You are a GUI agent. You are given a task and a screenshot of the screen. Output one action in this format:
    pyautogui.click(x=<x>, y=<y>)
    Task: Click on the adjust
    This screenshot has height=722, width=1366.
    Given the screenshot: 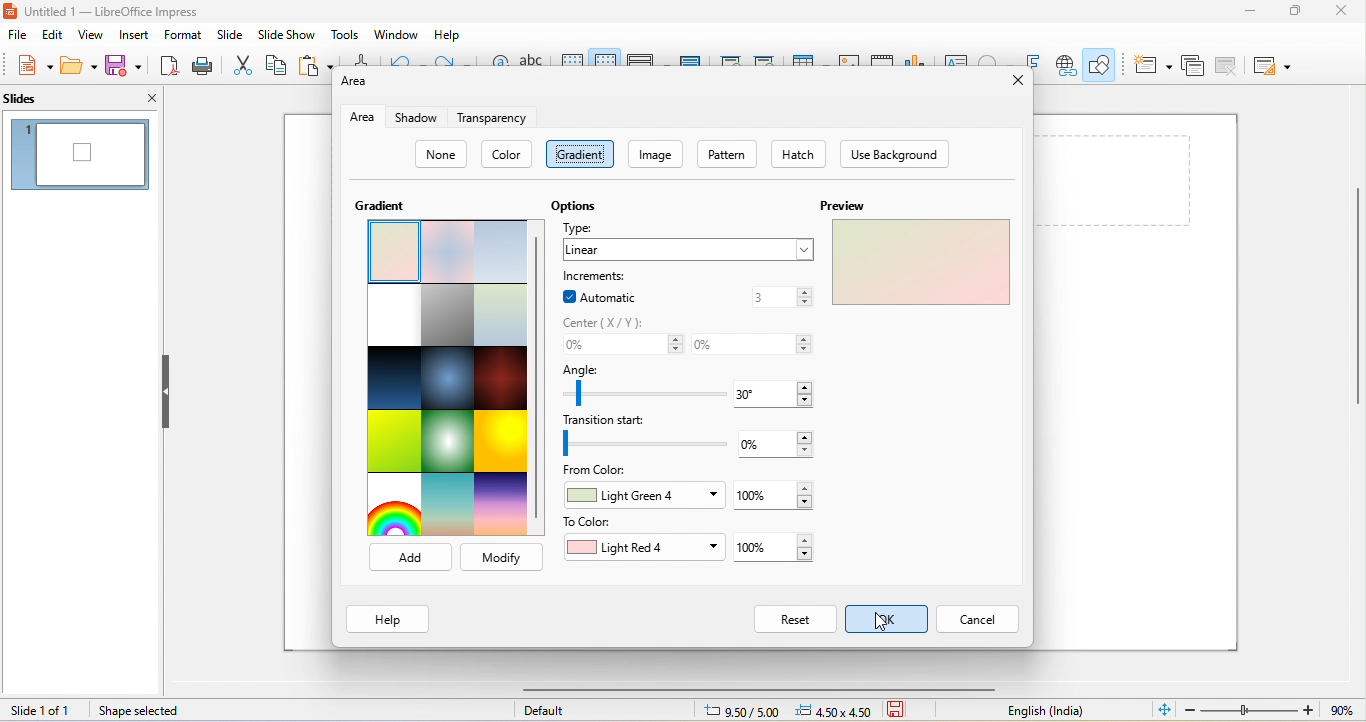 What is the action you would take?
    pyautogui.click(x=808, y=343)
    